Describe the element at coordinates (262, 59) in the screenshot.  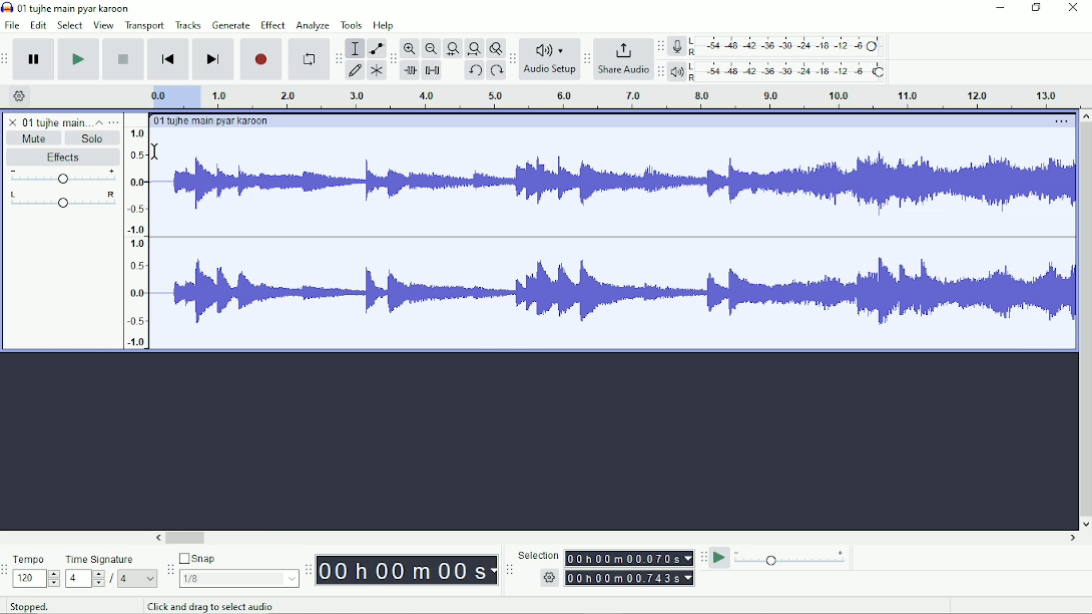
I see `Record` at that location.